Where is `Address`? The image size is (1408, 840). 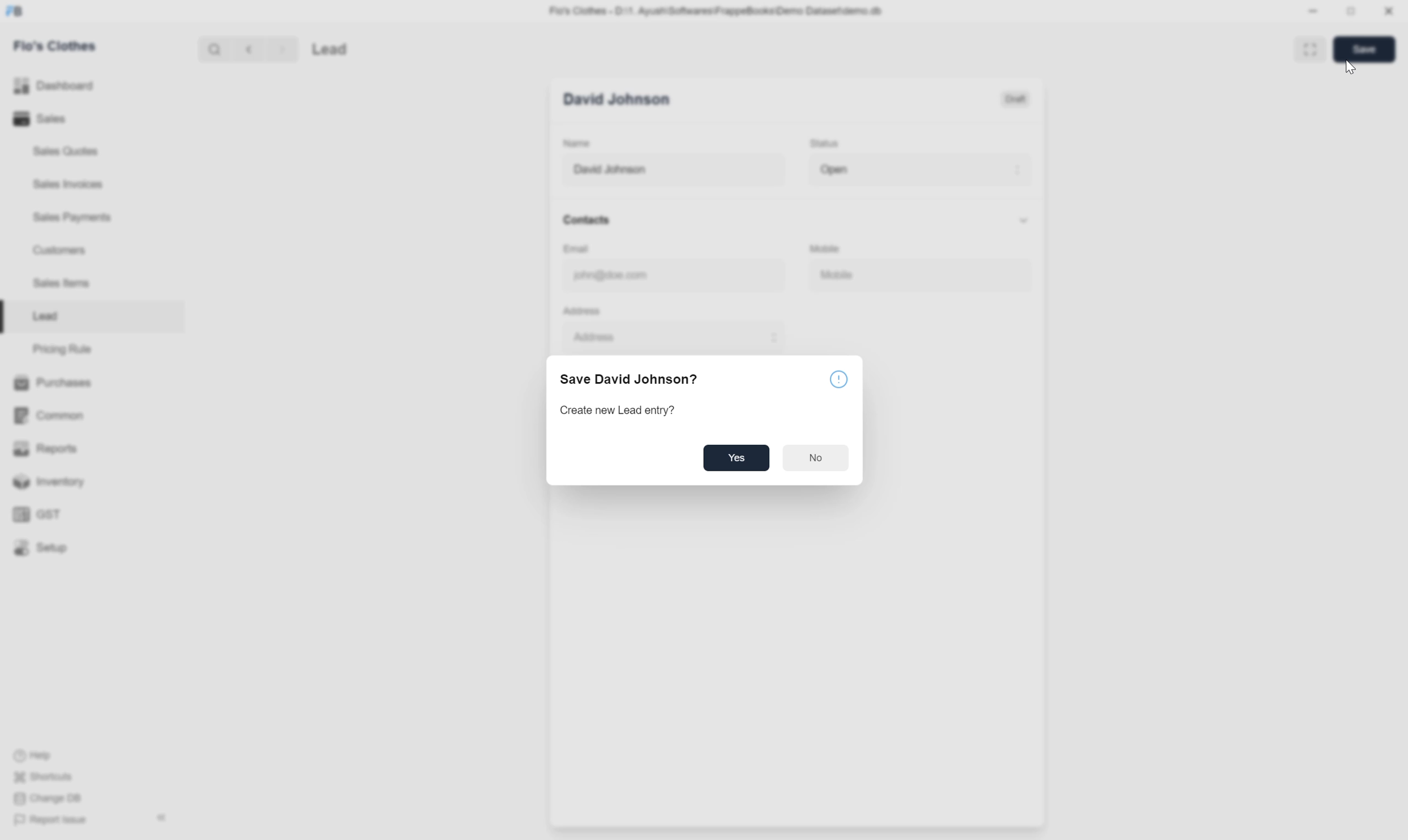
Address is located at coordinates (580, 310).